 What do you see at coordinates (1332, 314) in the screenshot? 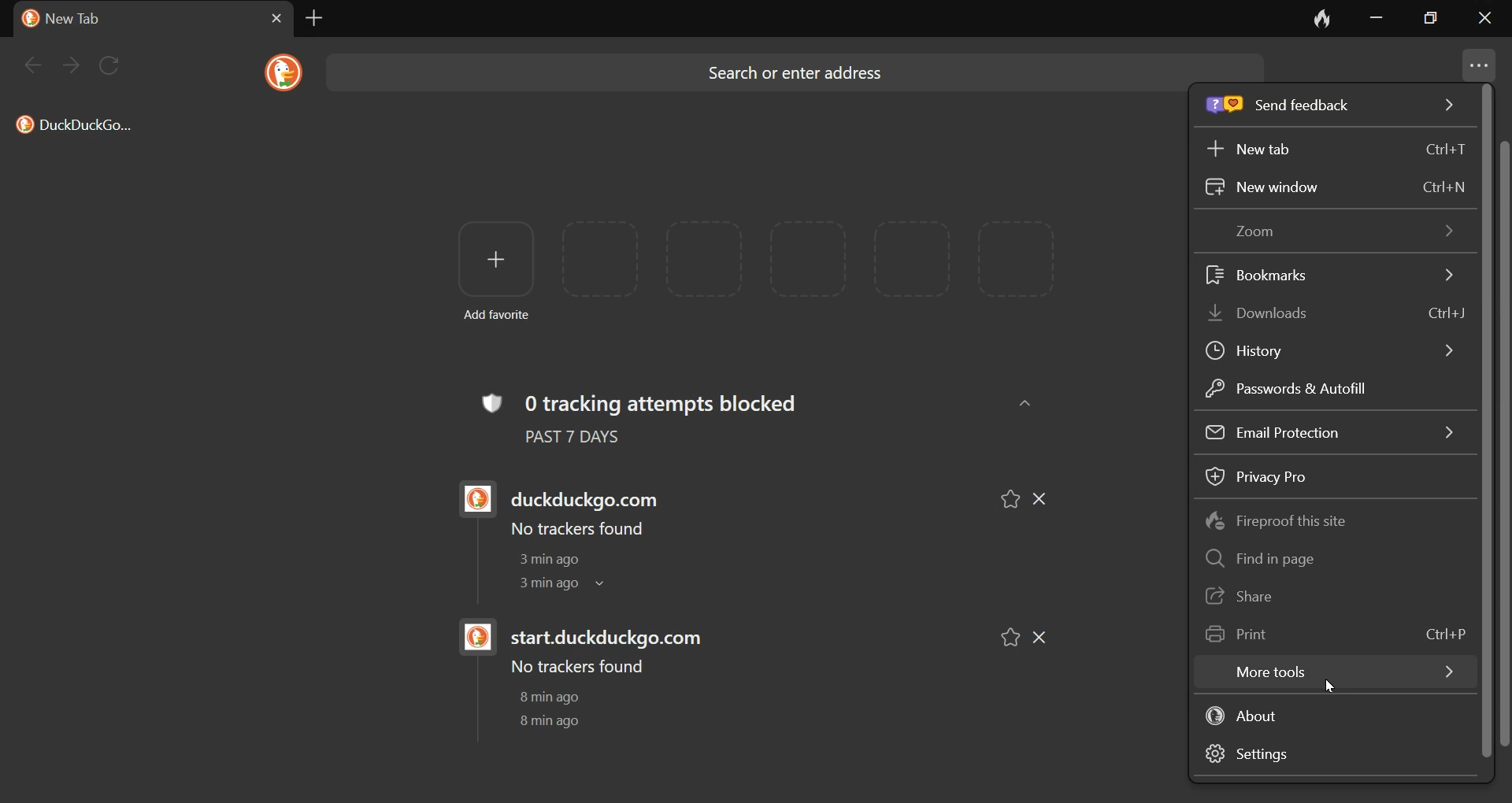
I see `Downloads` at bounding box center [1332, 314].